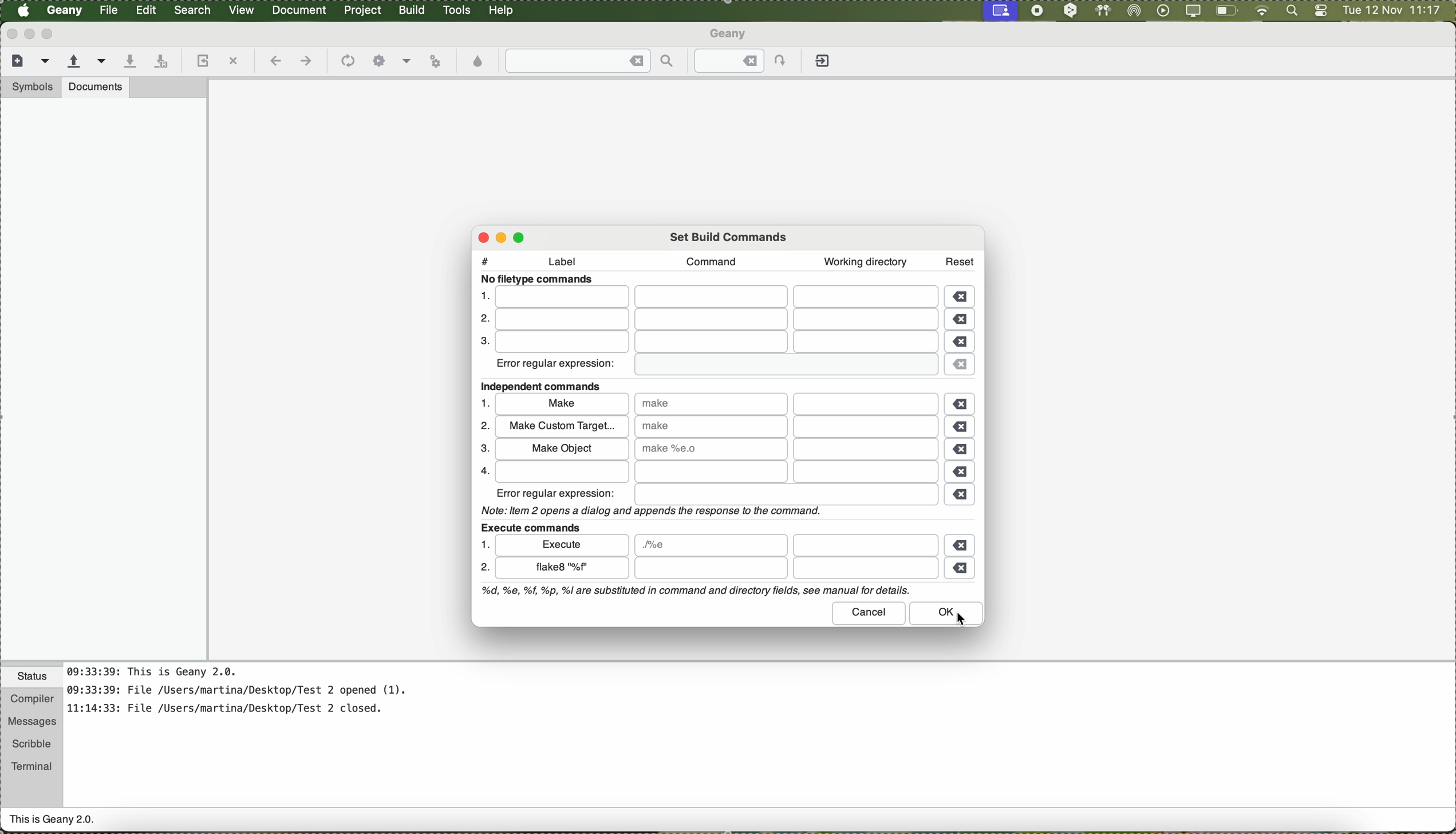 The height and width of the screenshot is (834, 1456). I want to click on reset, so click(960, 259).